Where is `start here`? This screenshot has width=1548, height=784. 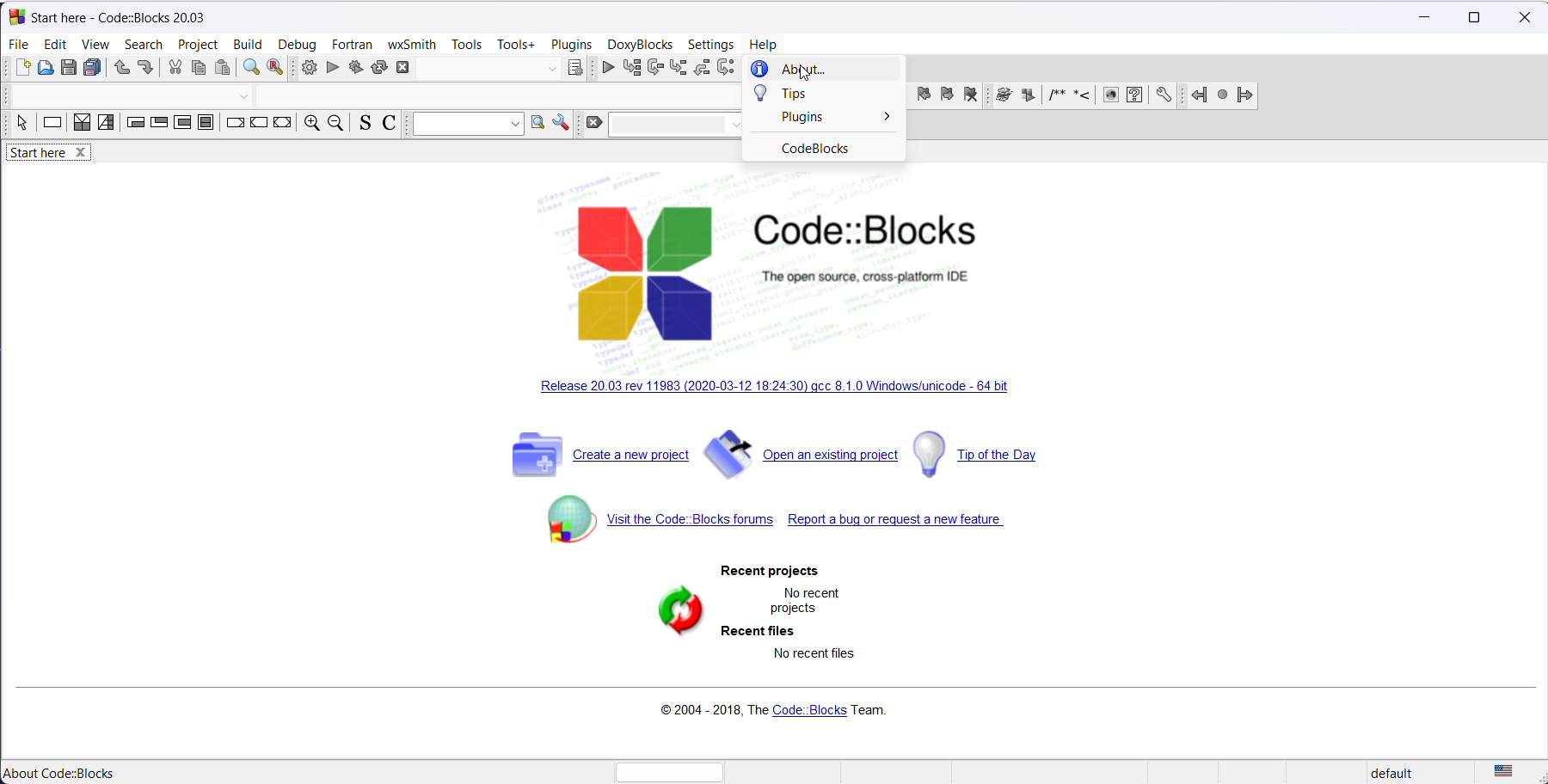
start here is located at coordinates (36, 773).